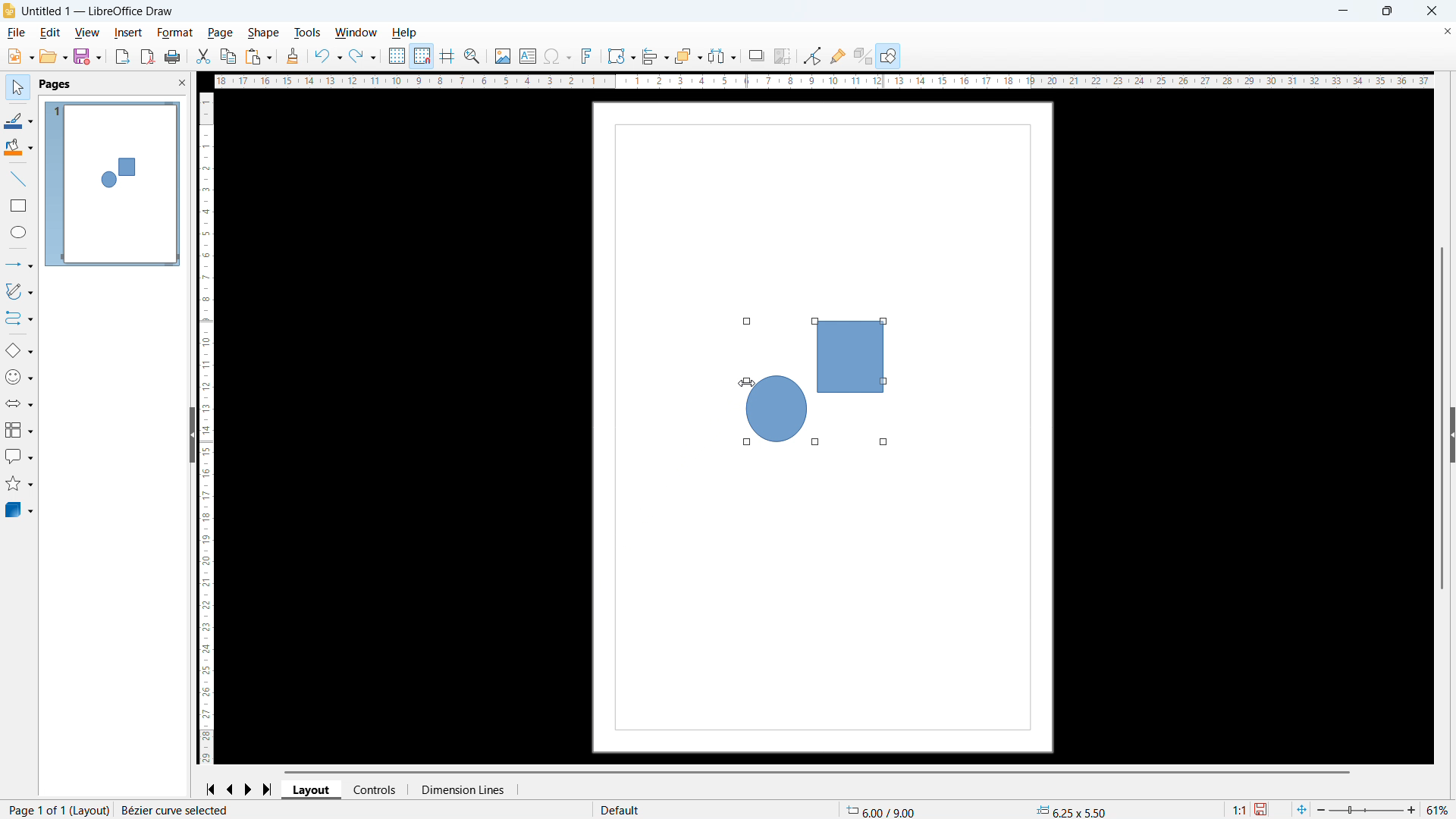 The image size is (1456, 819). What do you see at coordinates (19, 402) in the screenshot?
I see `Block arrow ` at bounding box center [19, 402].